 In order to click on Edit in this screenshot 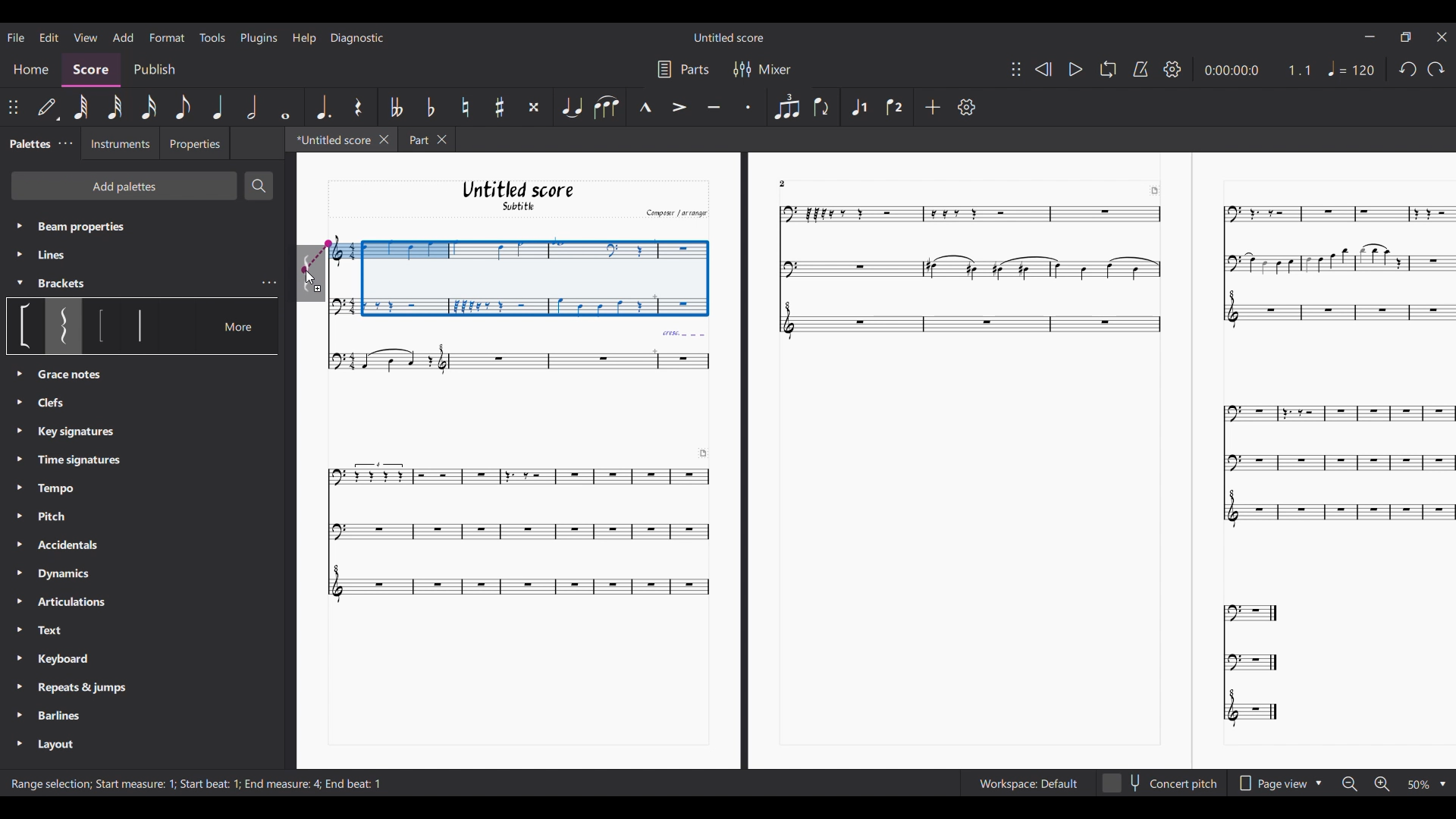, I will do `click(49, 37)`.